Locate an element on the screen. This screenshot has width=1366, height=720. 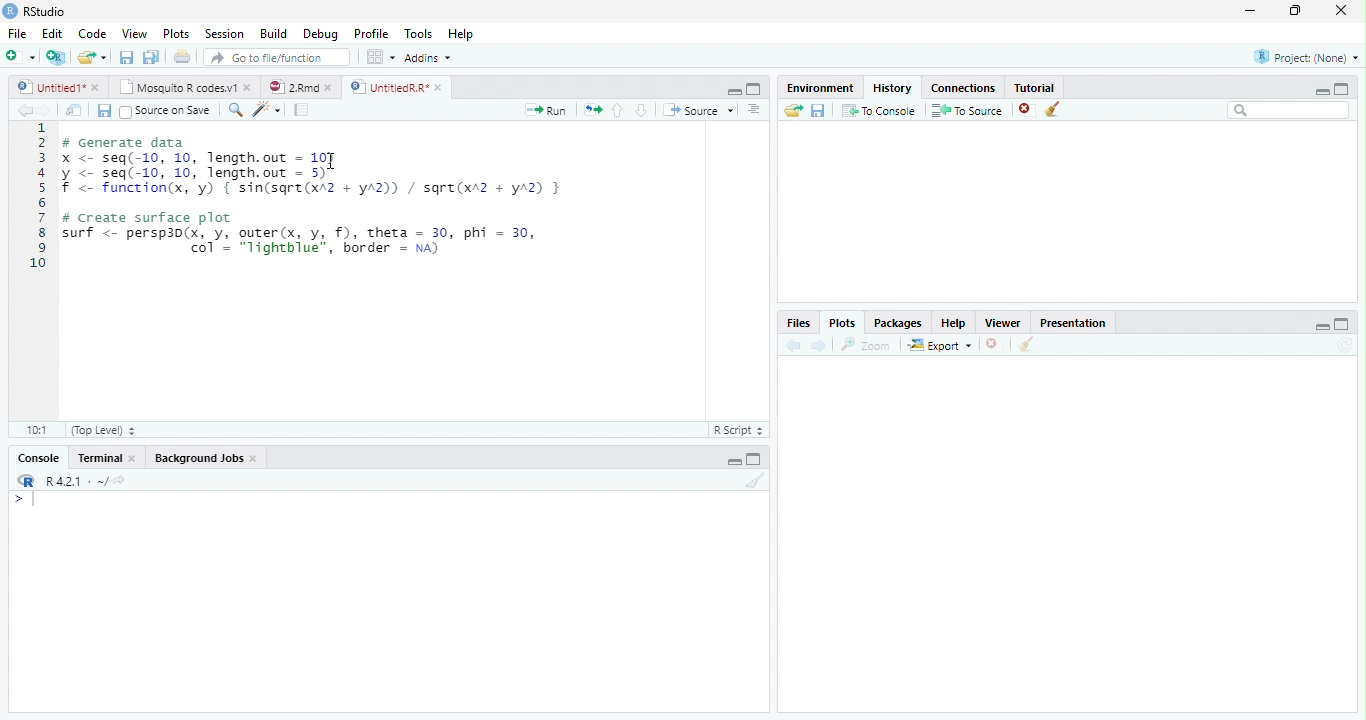
Edit is located at coordinates (51, 33).